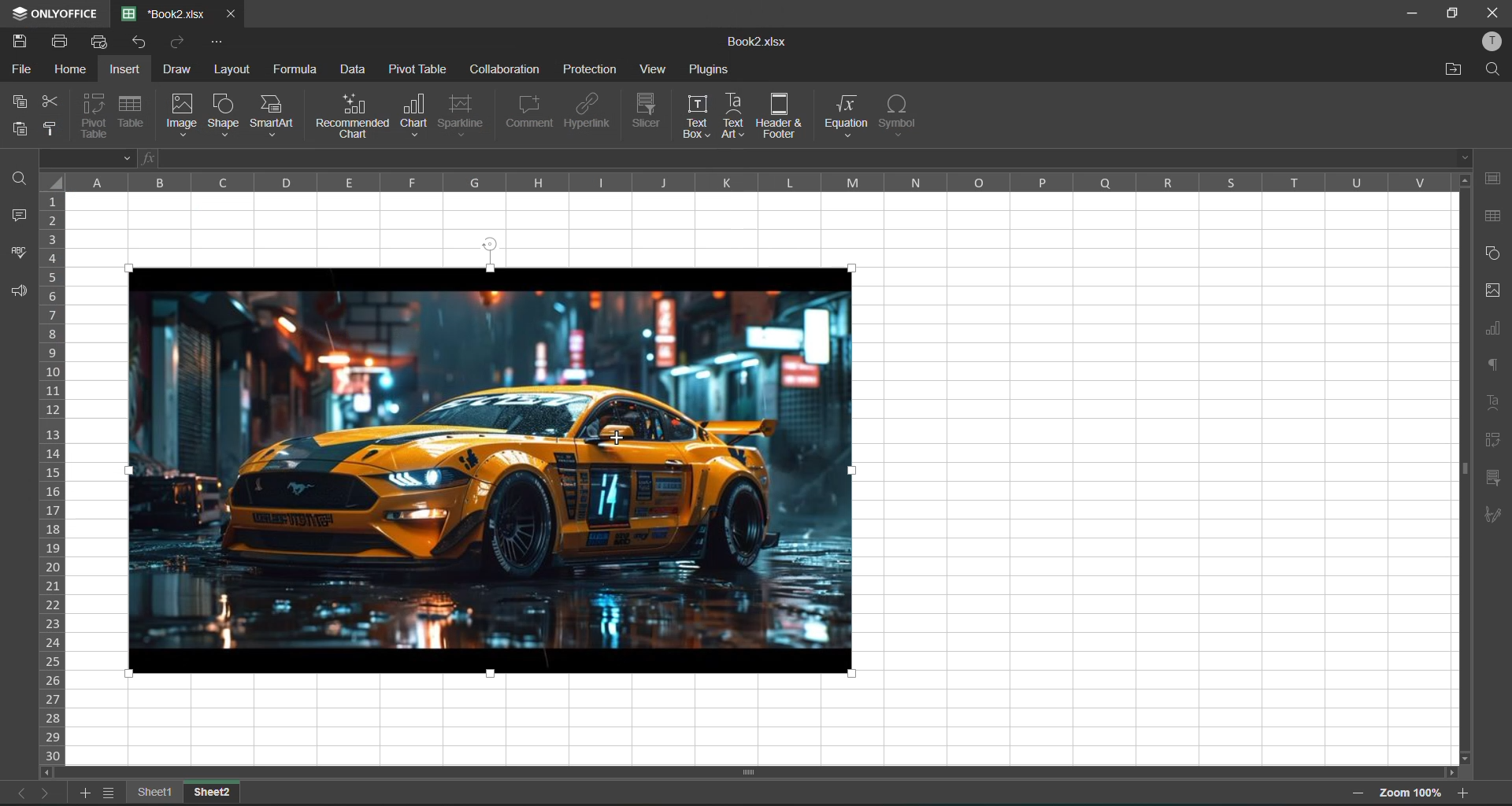 Image resolution: width=1512 pixels, height=806 pixels. I want to click on sheet list, so click(113, 793).